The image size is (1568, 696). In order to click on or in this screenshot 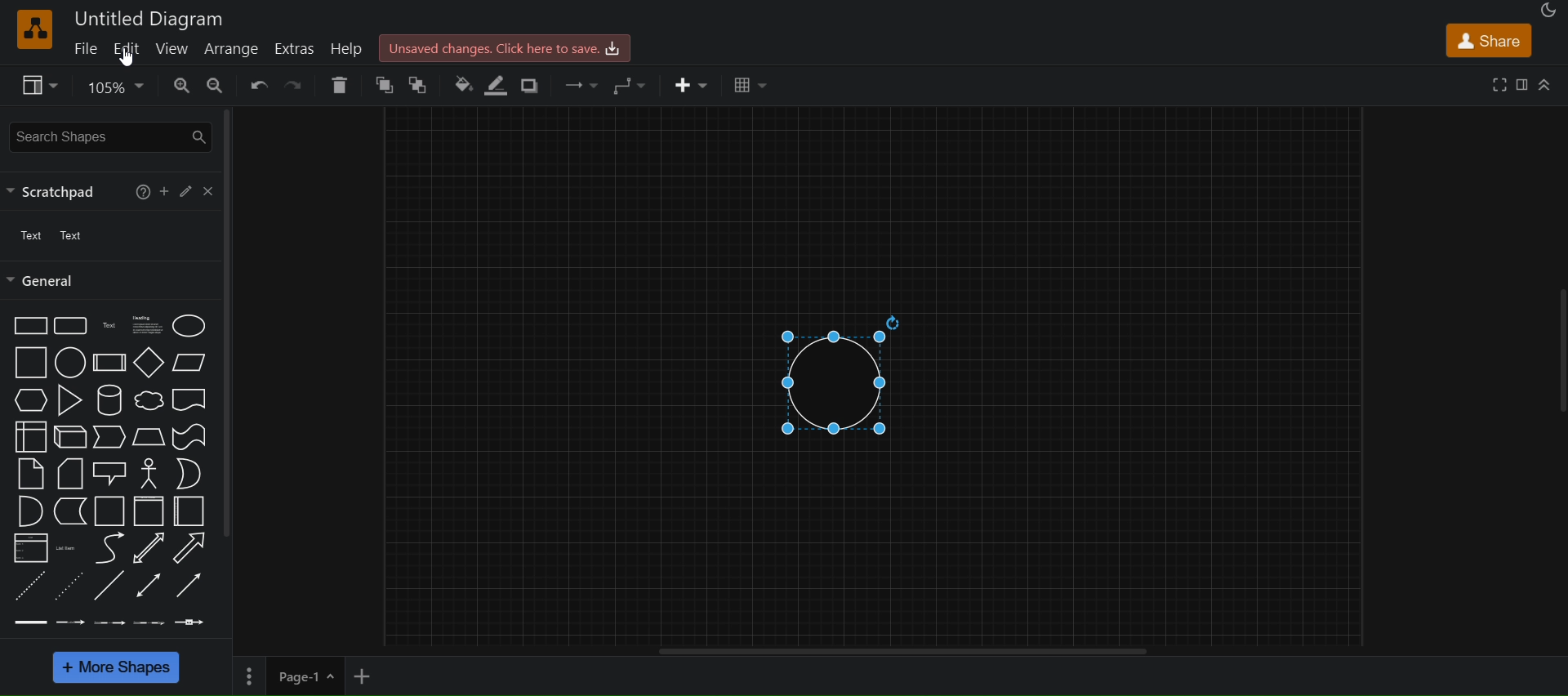, I will do `click(189, 474)`.